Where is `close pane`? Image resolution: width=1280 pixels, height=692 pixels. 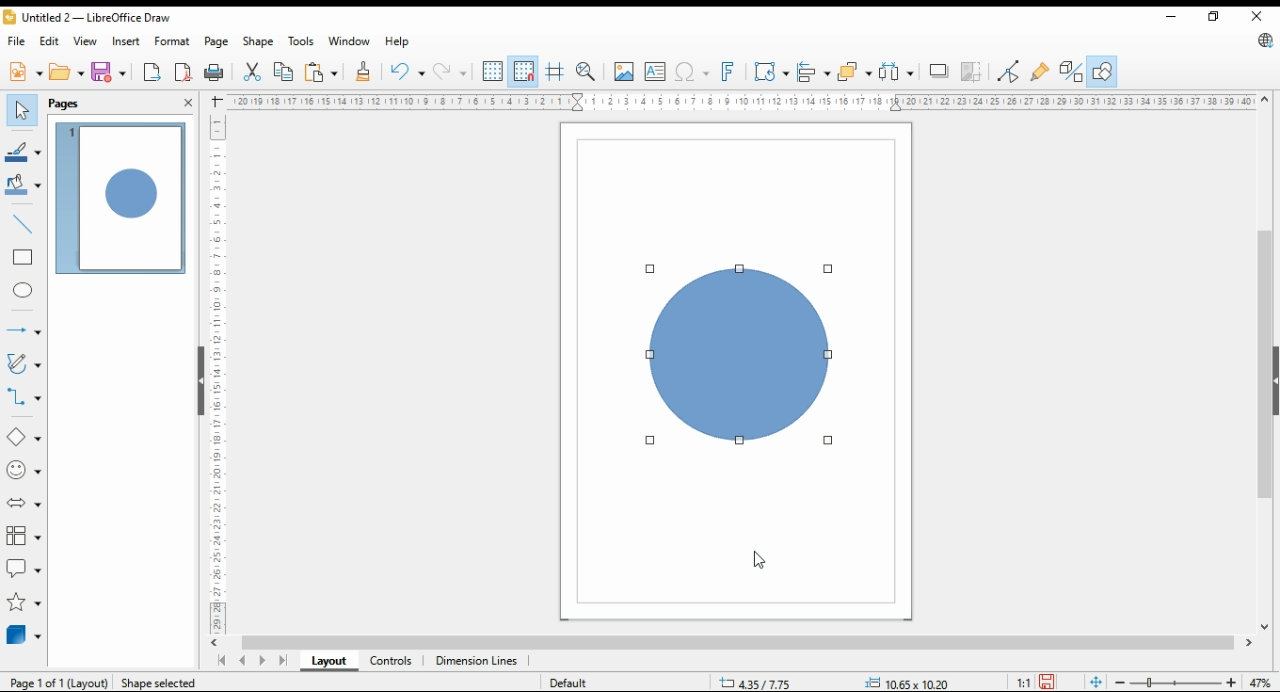 close pane is located at coordinates (188, 102).